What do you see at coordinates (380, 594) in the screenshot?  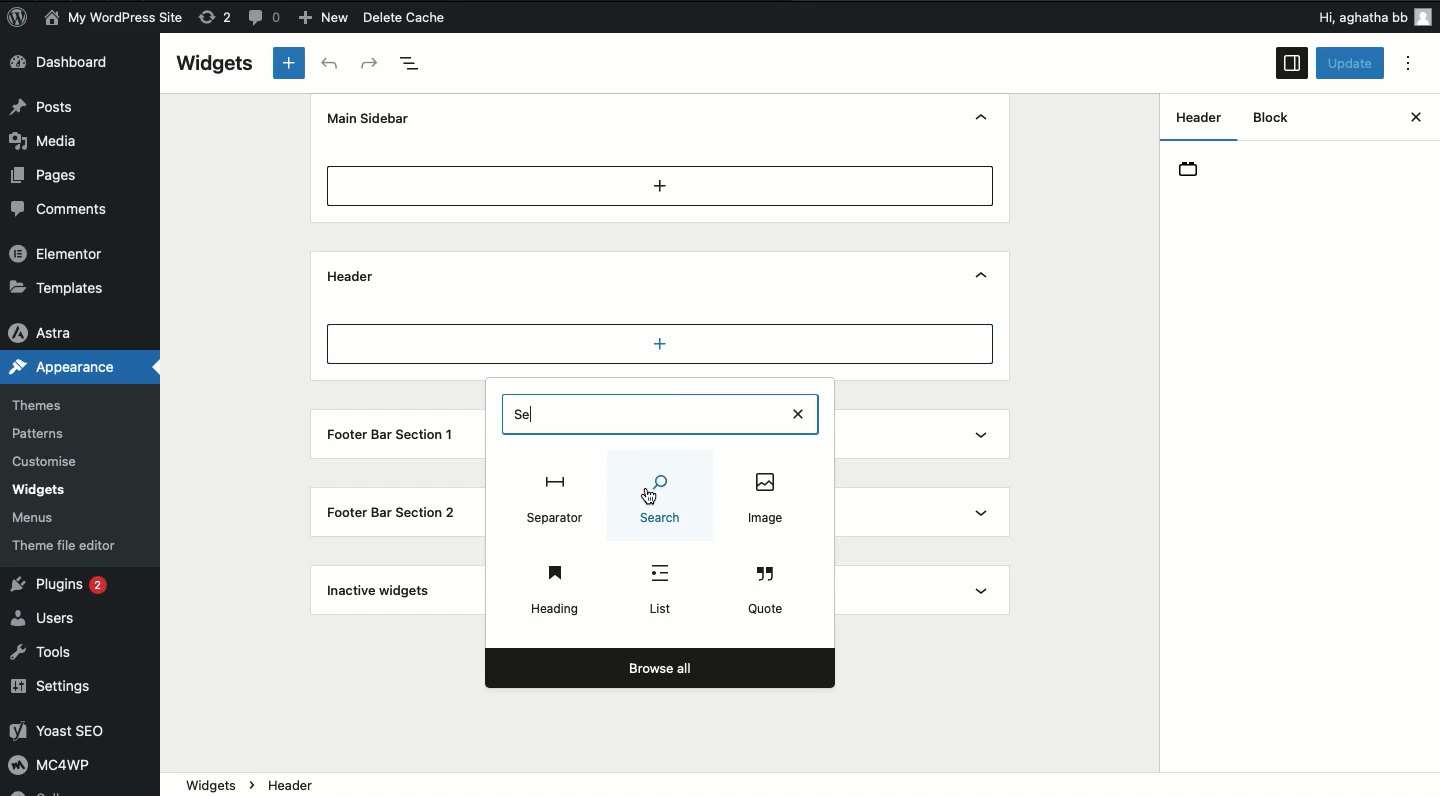 I see `Inactive widgets` at bounding box center [380, 594].